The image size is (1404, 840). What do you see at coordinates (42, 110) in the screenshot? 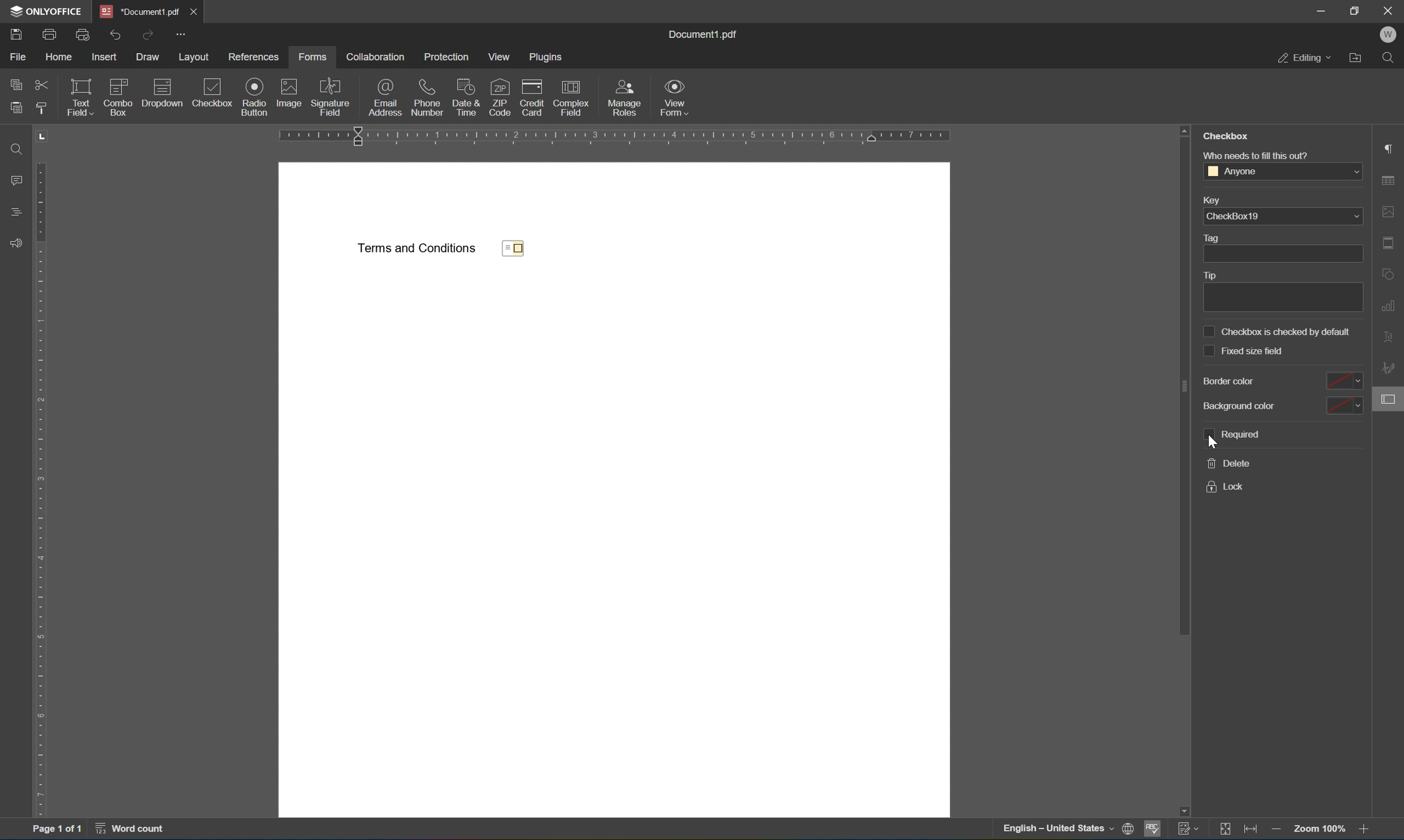
I see `copy style` at bounding box center [42, 110].